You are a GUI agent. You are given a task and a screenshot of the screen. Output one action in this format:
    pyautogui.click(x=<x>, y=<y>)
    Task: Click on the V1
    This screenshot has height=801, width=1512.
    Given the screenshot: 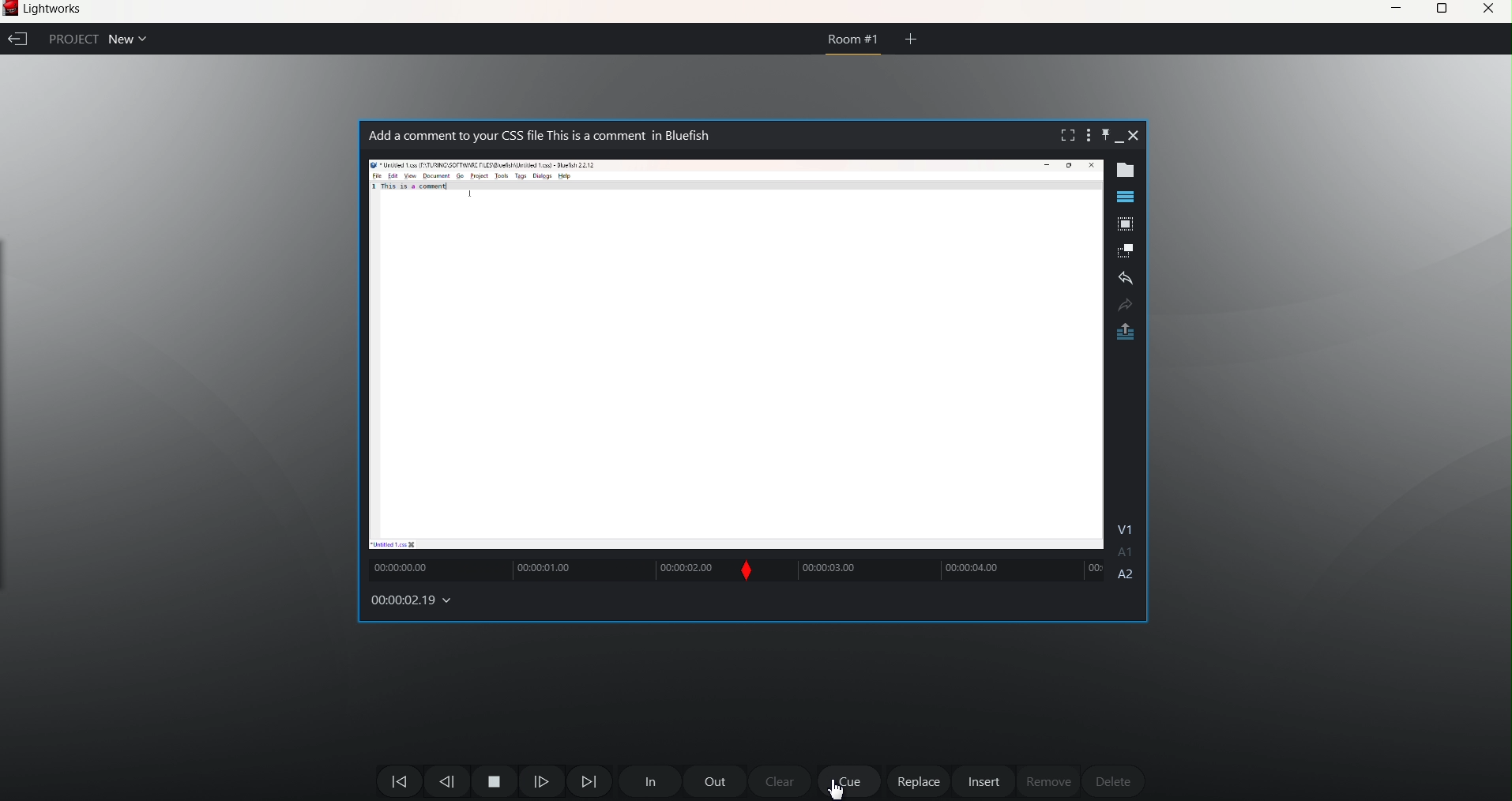 What is the action you would take?
    pyautogui.click(x=1124, y=525)
    